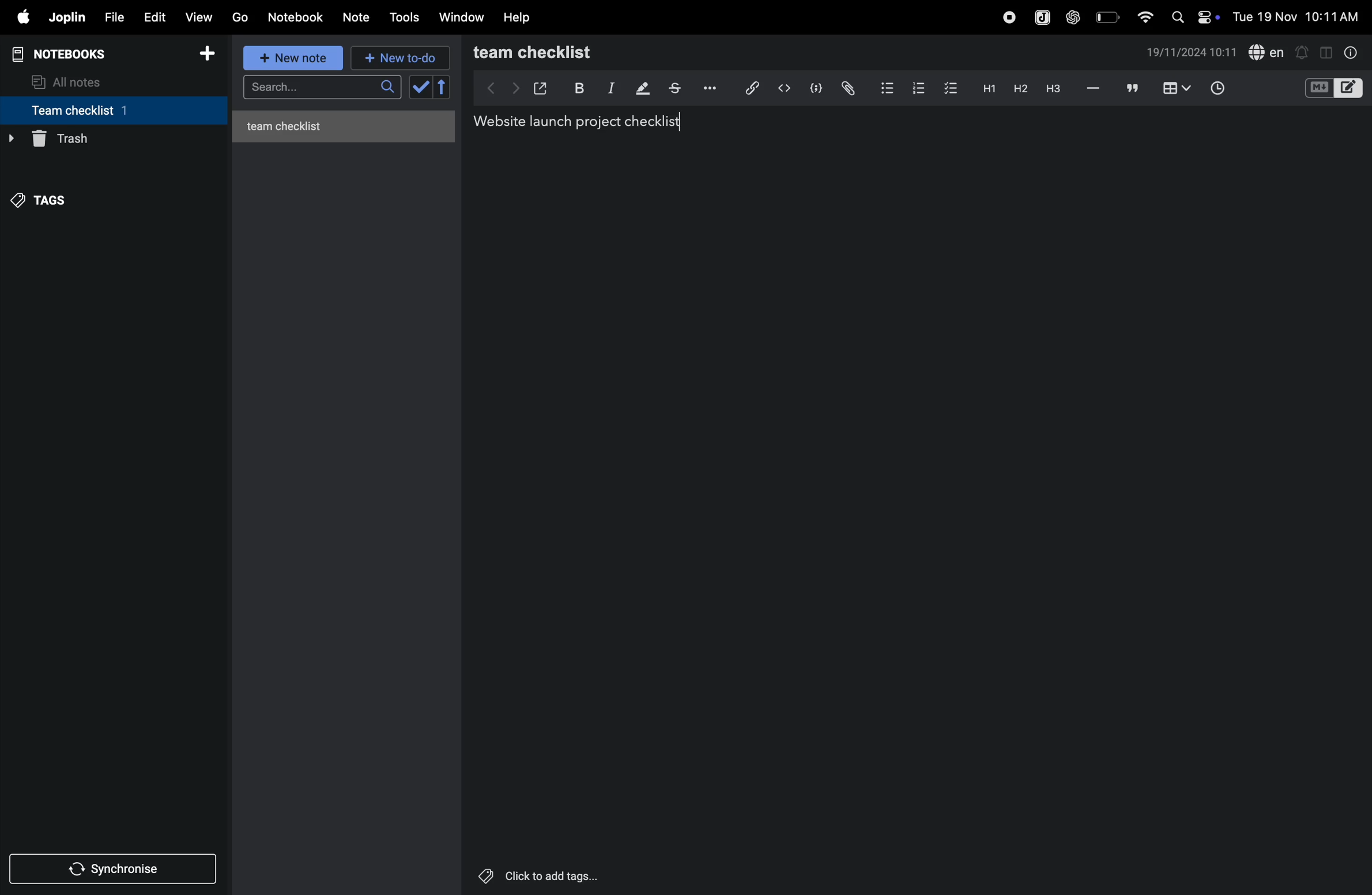  What do you see at coordinates (1192, 54) in the screenshot?
I see `date and time` at bounding box center [1192, 54].